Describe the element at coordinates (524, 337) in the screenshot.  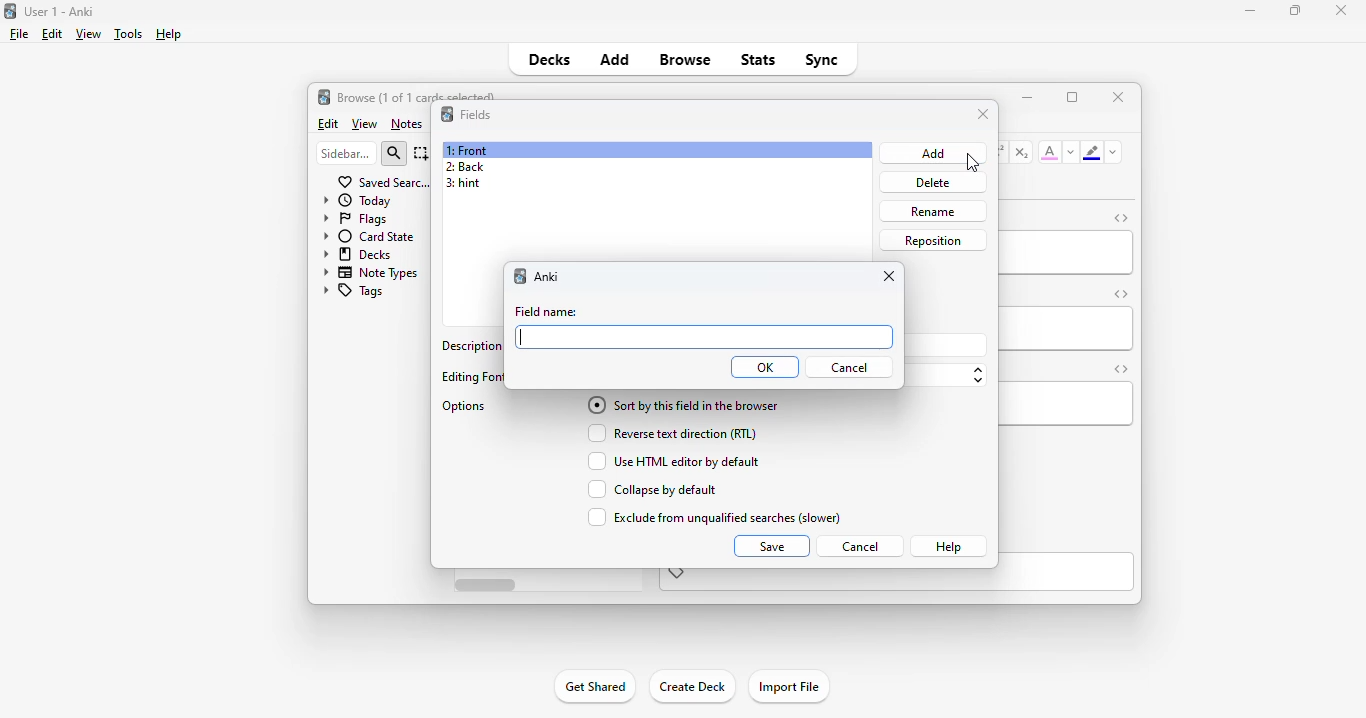
I see `cursor typing` at that location.